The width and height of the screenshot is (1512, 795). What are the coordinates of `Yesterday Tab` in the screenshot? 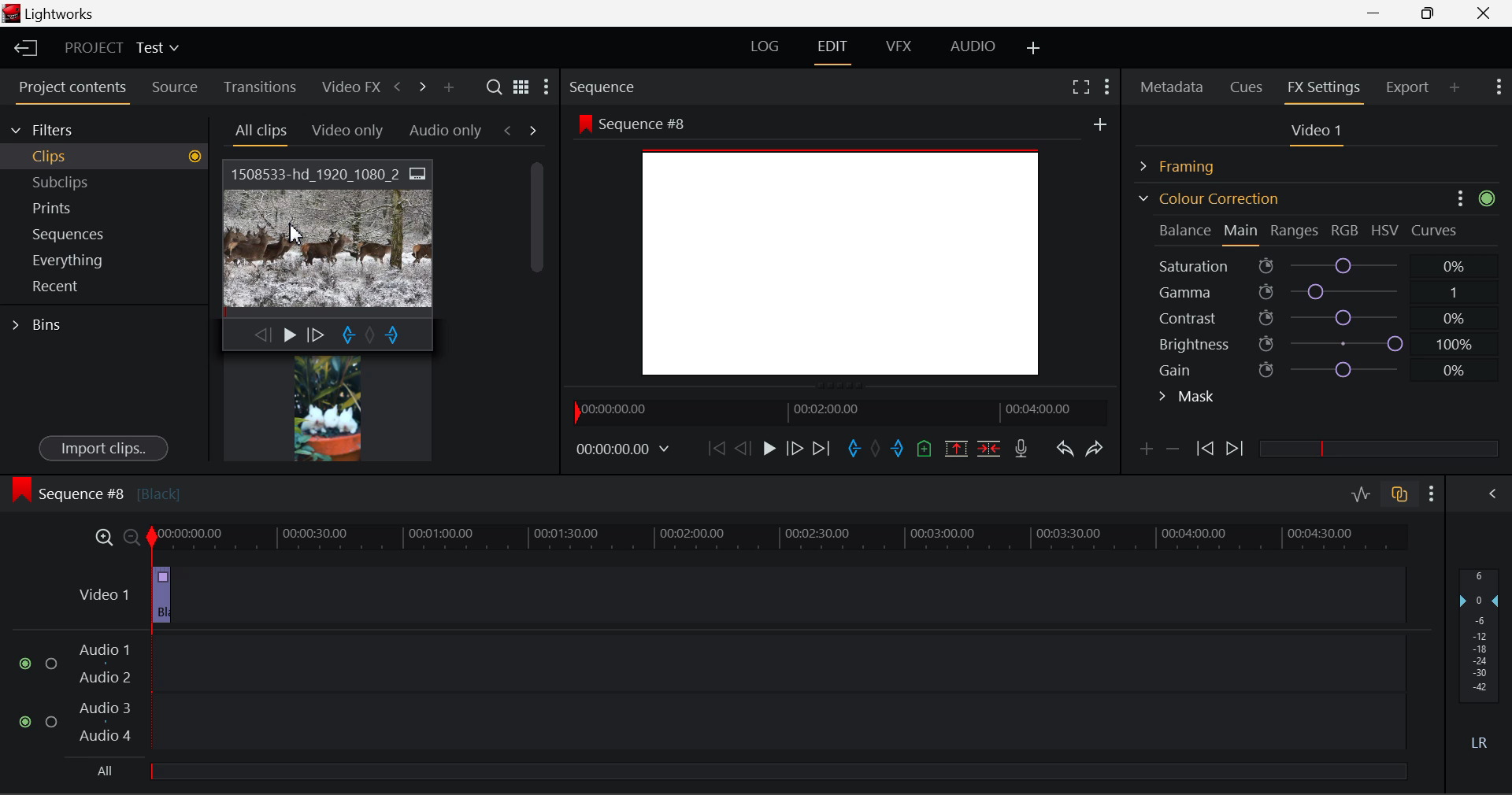 It's located at (340, 131).